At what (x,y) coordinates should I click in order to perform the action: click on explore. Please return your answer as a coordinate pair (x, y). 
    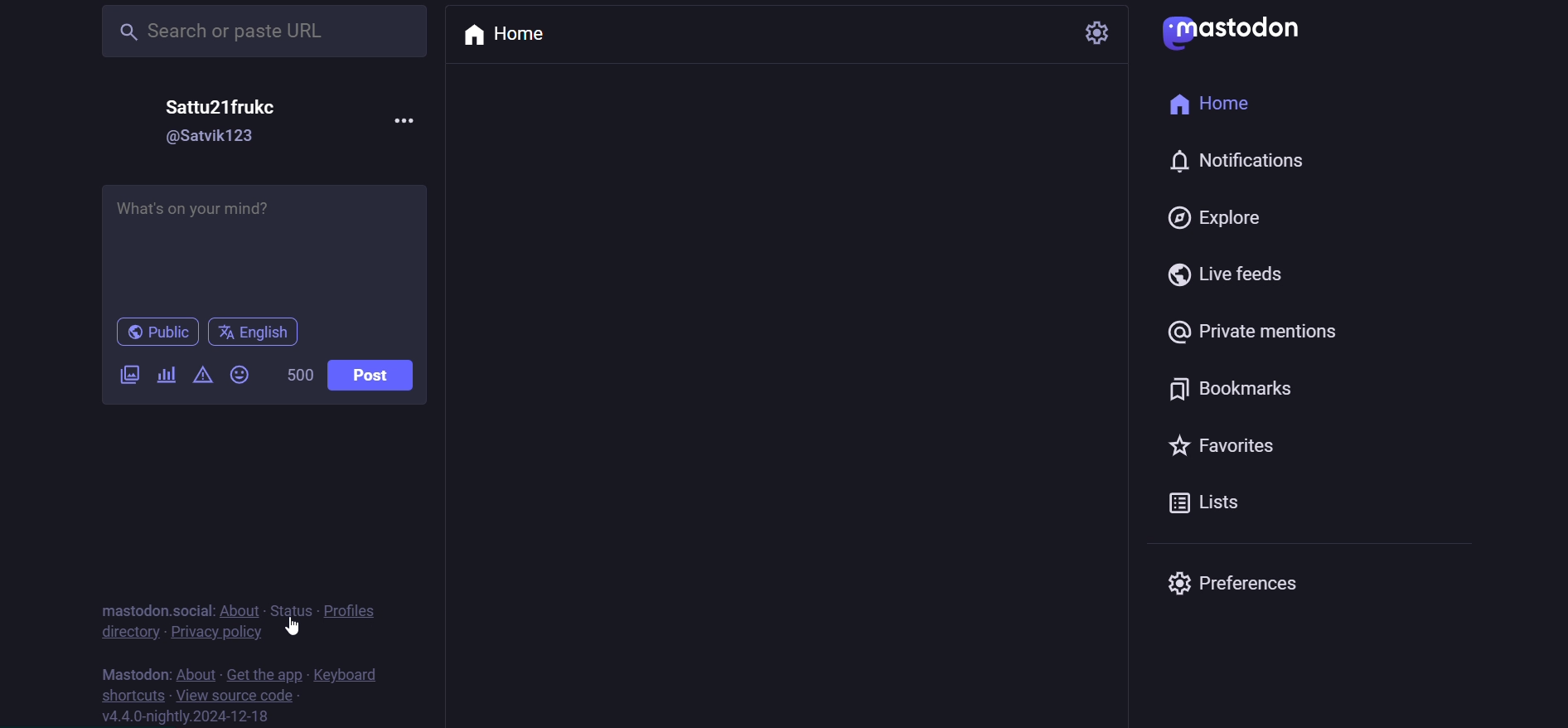
    Looking at the image, I should click on (1212, 217).